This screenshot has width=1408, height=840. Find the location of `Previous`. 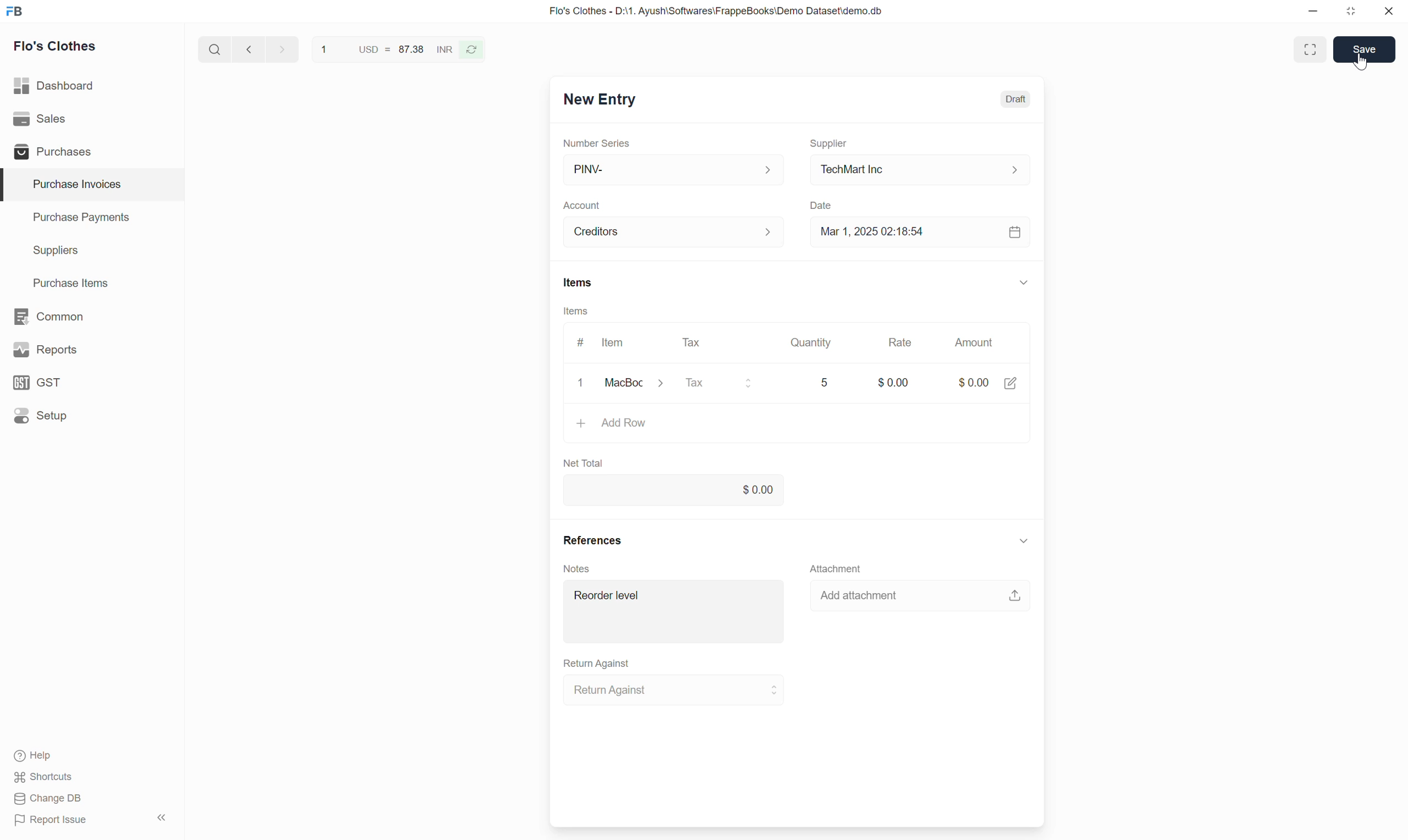

Previous is located at coordinates (249, 49).